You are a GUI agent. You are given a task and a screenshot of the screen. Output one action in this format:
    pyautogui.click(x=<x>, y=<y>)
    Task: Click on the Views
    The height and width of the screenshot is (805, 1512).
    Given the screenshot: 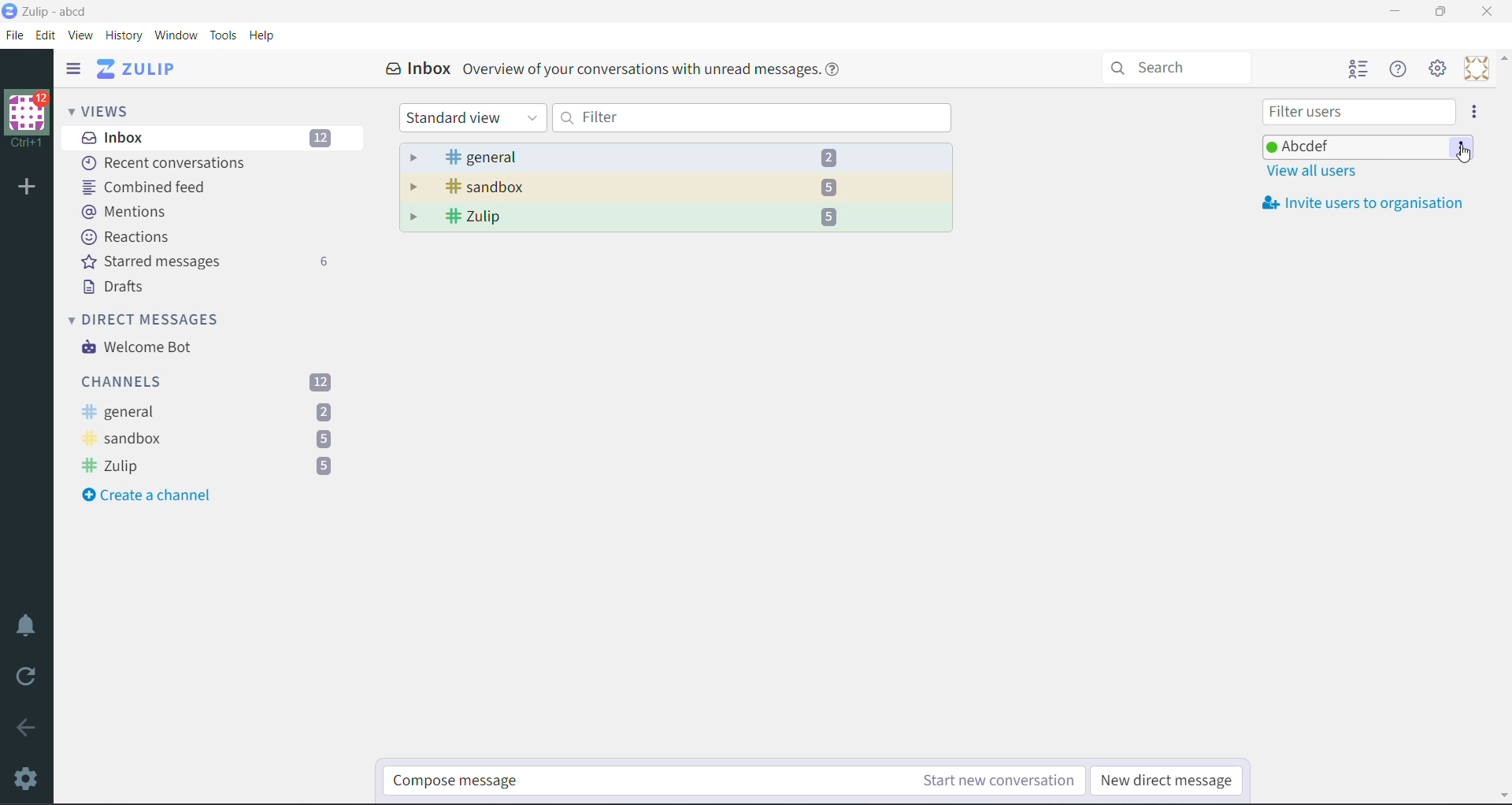 What is the action you would take?
    pyautogui.click(x=105, y=110)
    